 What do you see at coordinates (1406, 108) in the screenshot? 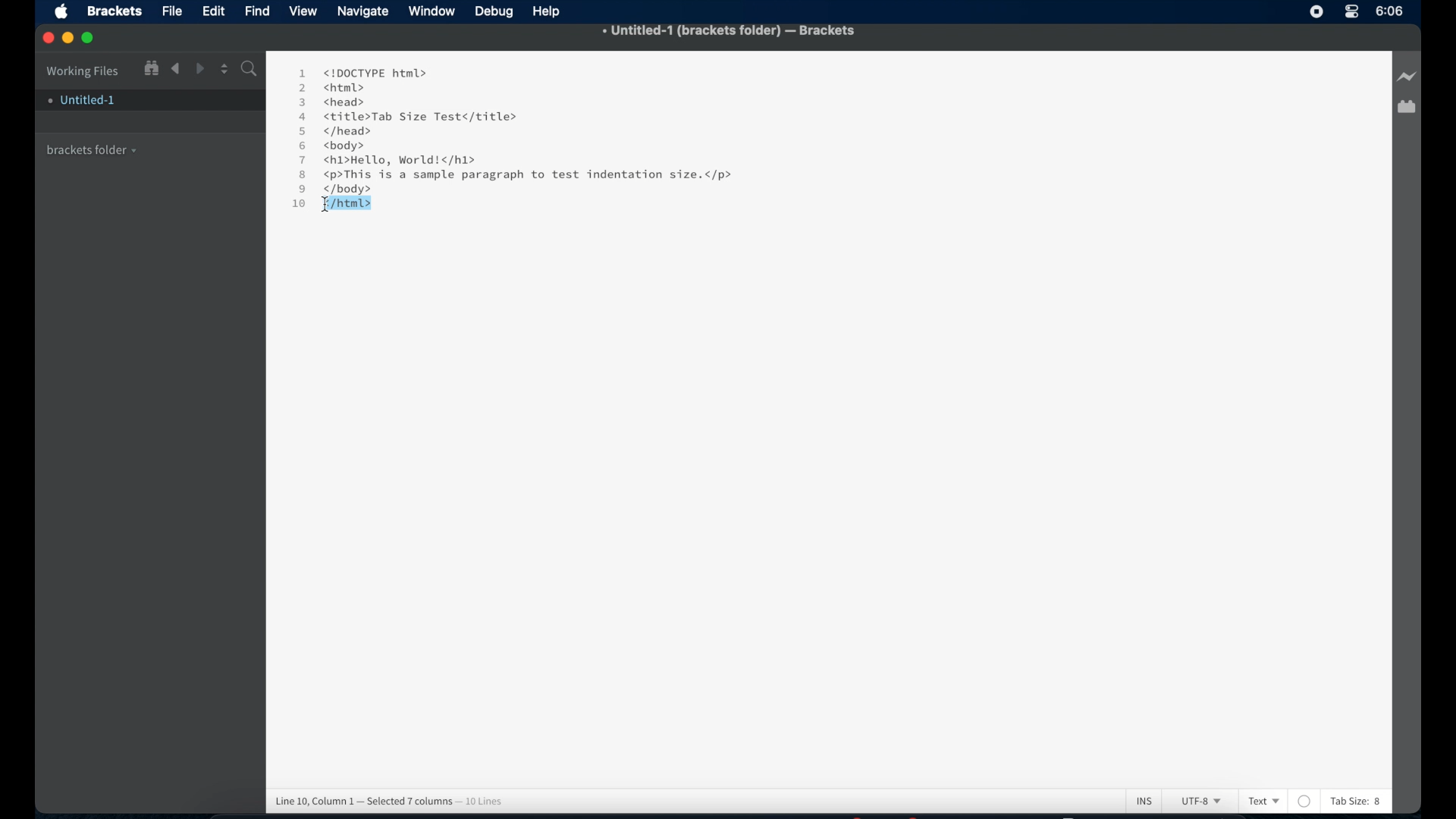
I see `Calendar` at bounding box center [1406, 108].